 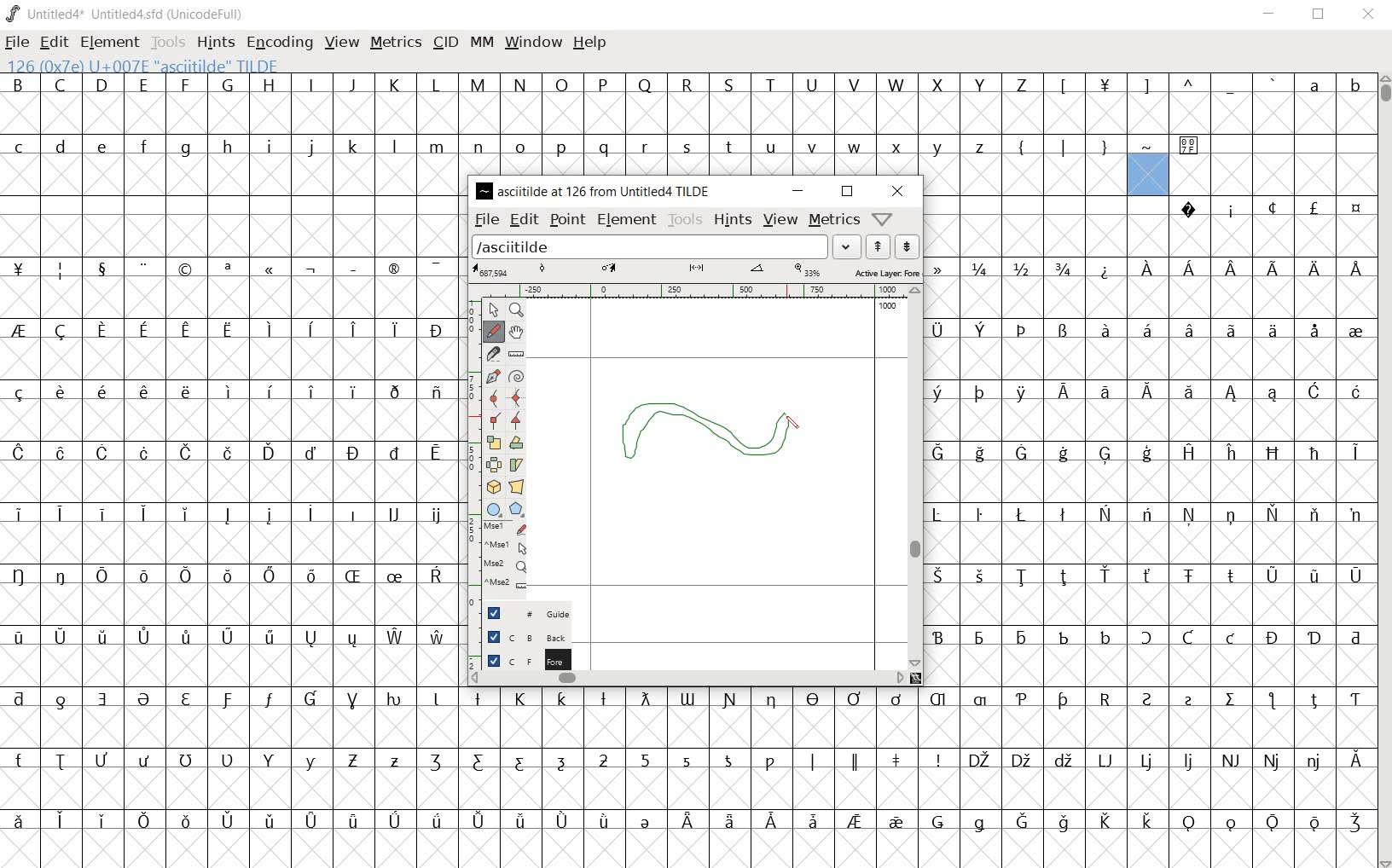 I want to click on add a curve point, so click(x=495, y=396).